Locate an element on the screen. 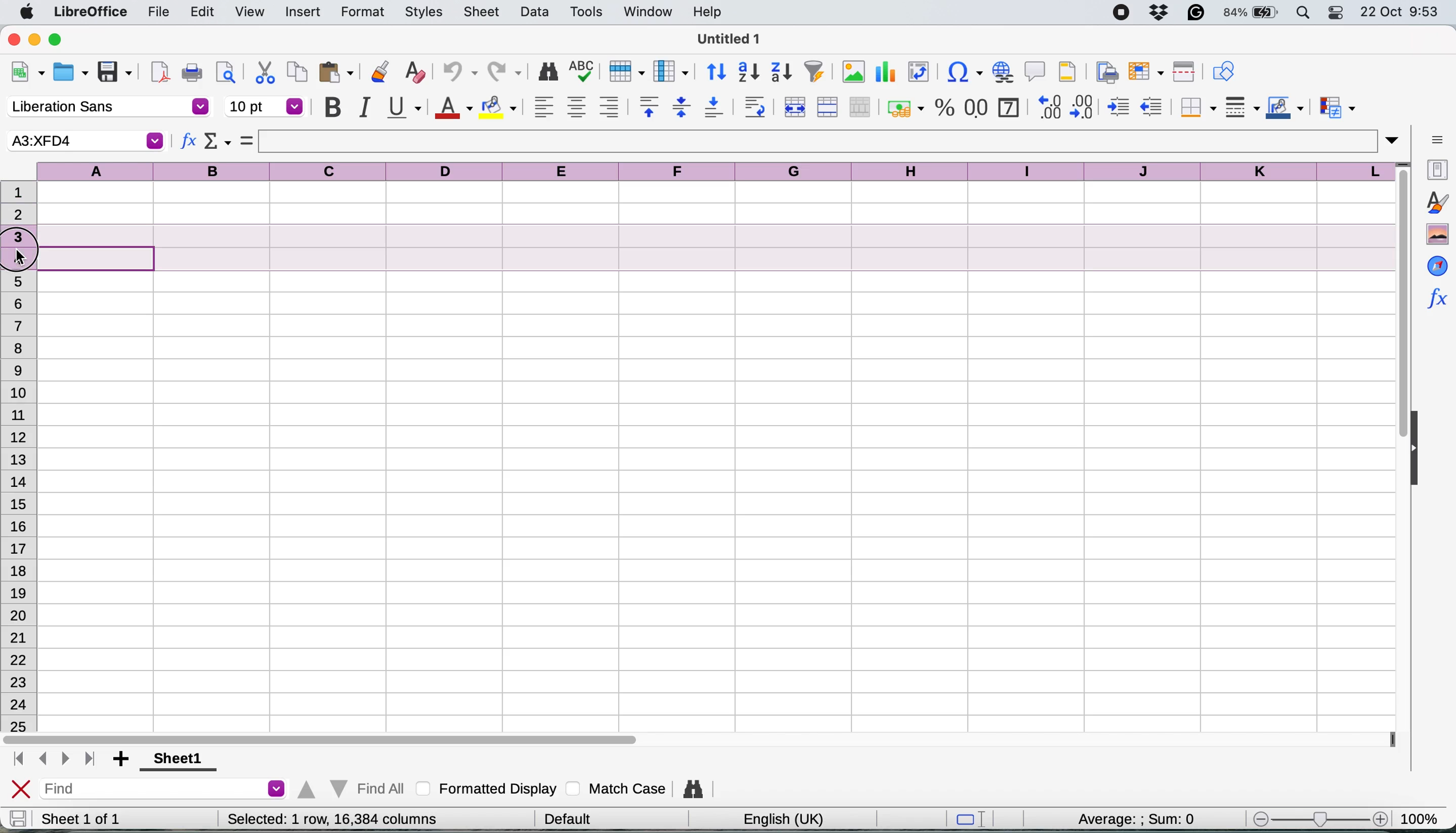  font size is located at coordinates (265, 106).